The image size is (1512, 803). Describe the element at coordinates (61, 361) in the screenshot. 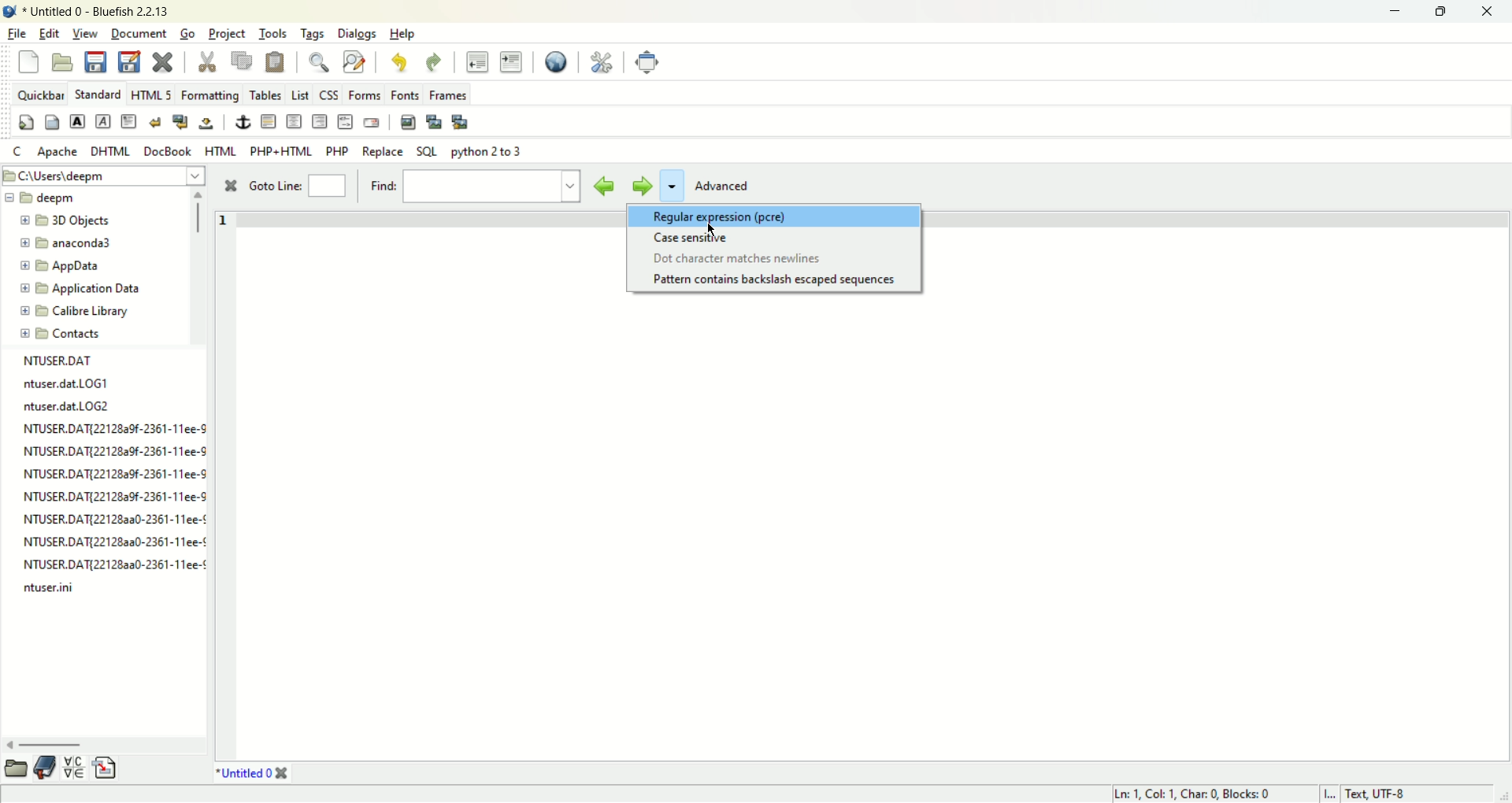

I see `NTUSER.DAT` at that location.